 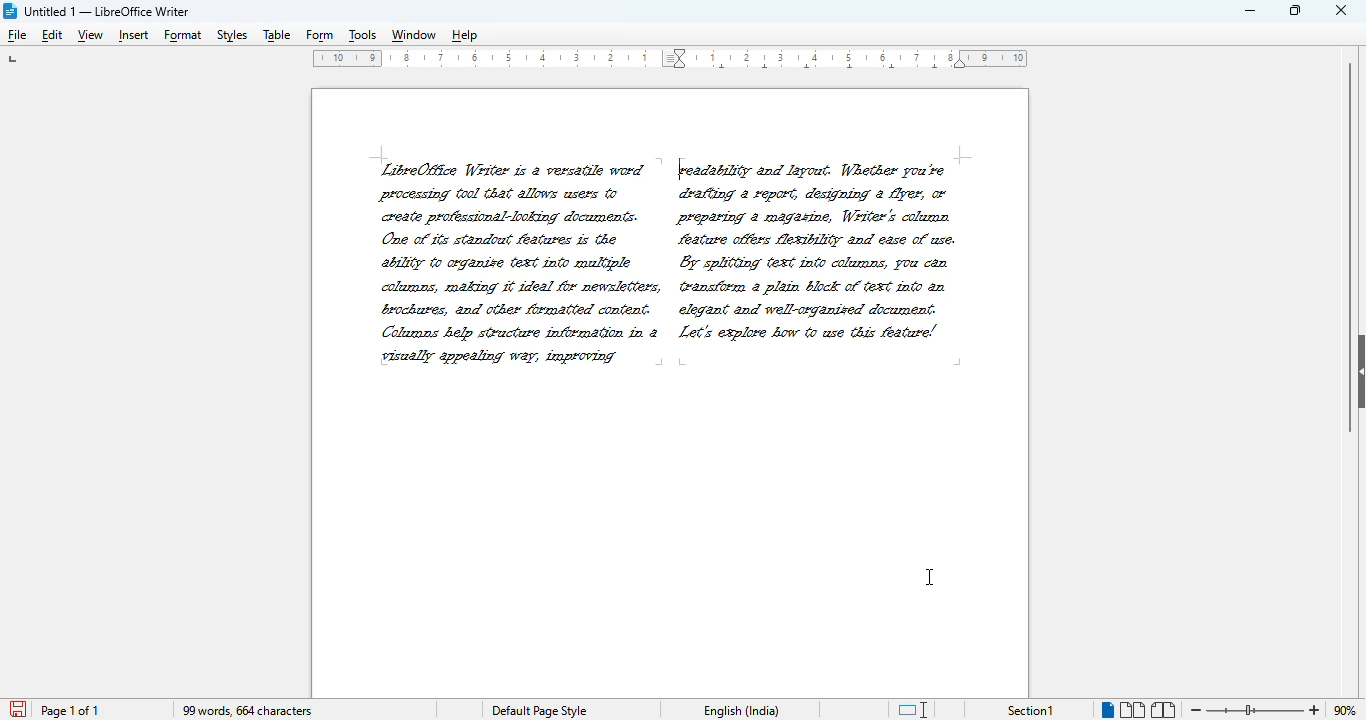 I want to click on 99 words, 664 characters, so click(x=248, y=712).